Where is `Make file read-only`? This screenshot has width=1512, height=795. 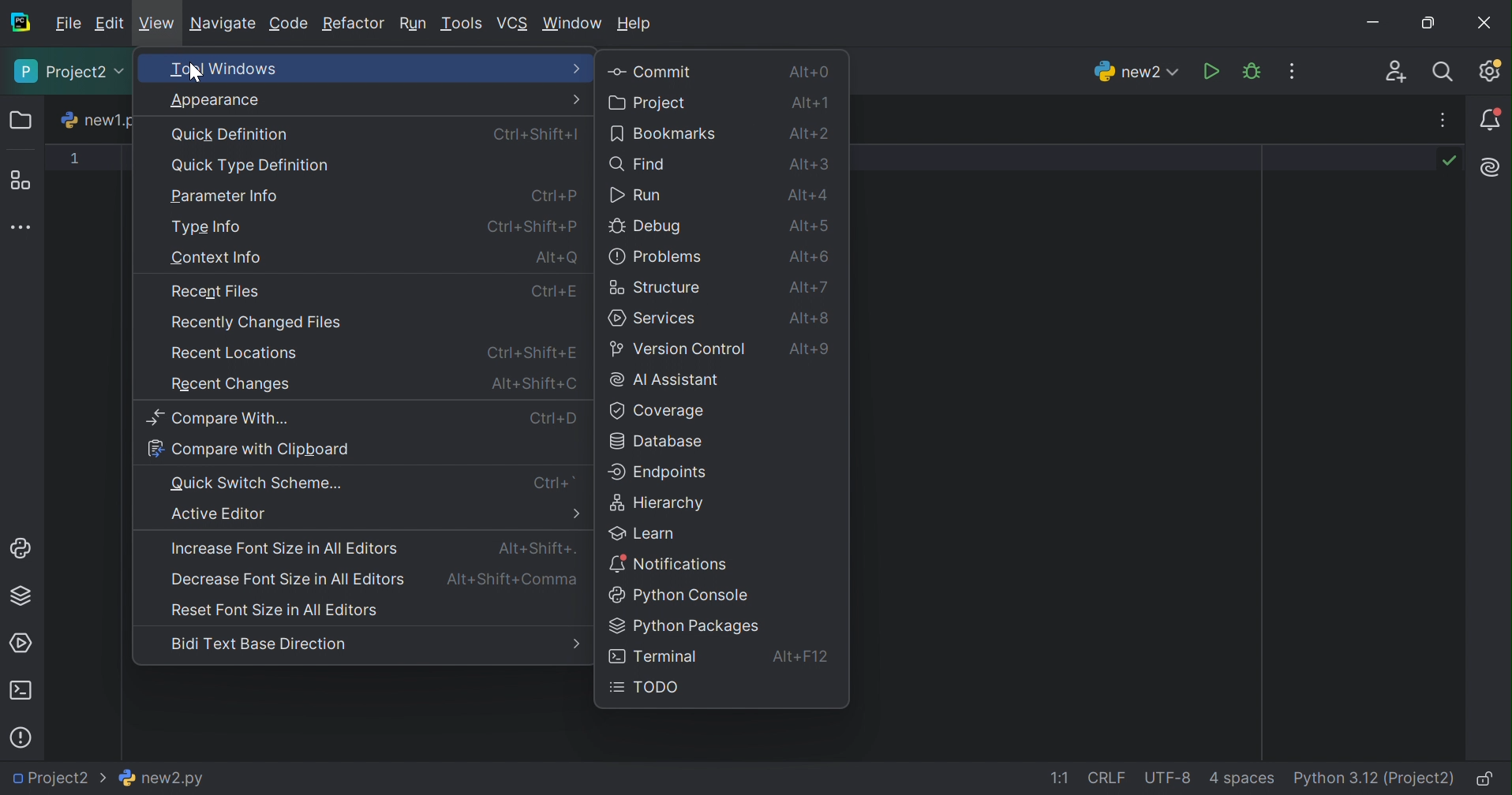 Make file read-only is located at coordinates (1484, 778).